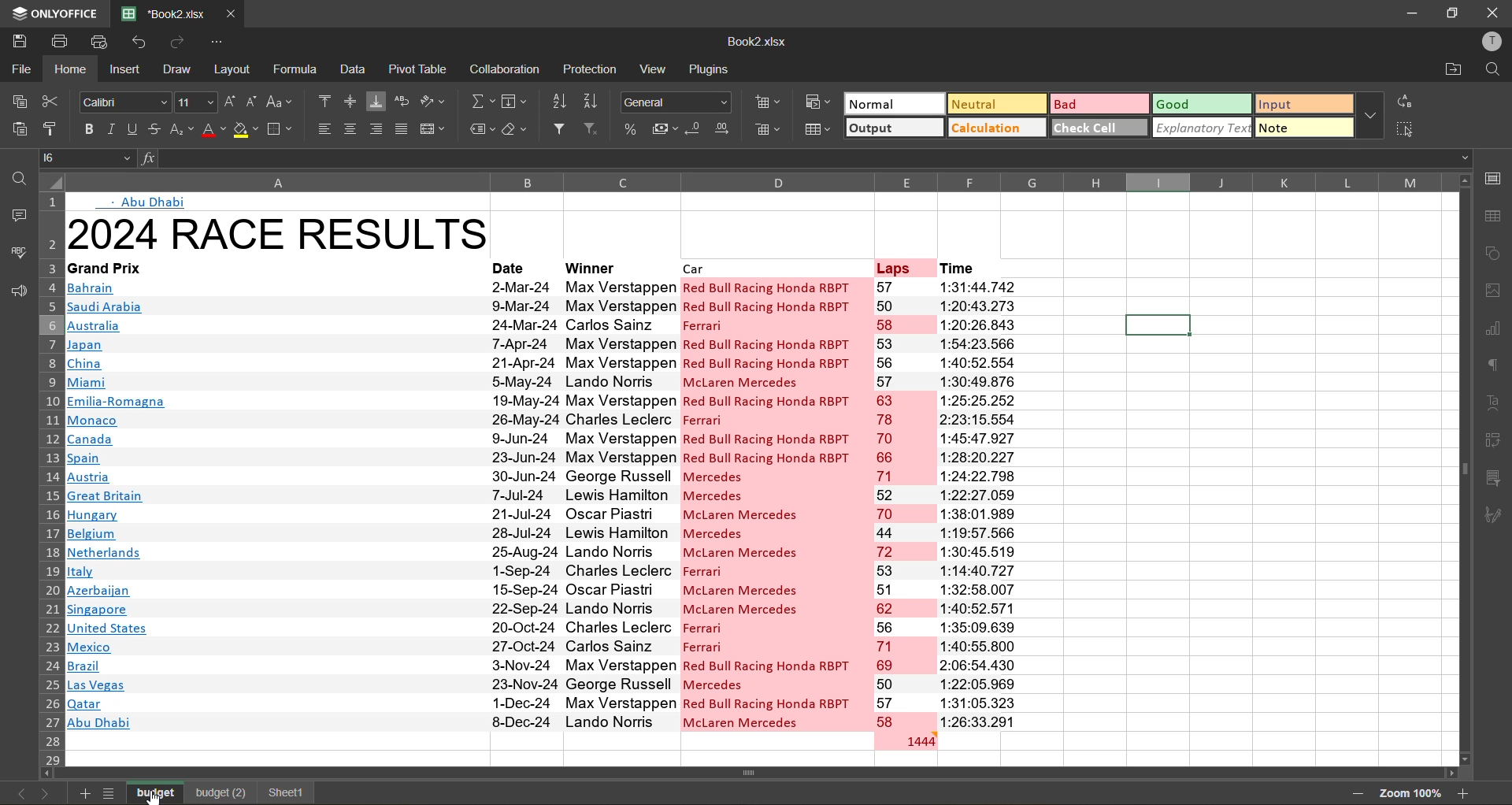 This screenshot has width=1512, height=805. What do you see at coordinates (892, 103) in the screenshot?
I see `normal` at bounding box center [892, 103].